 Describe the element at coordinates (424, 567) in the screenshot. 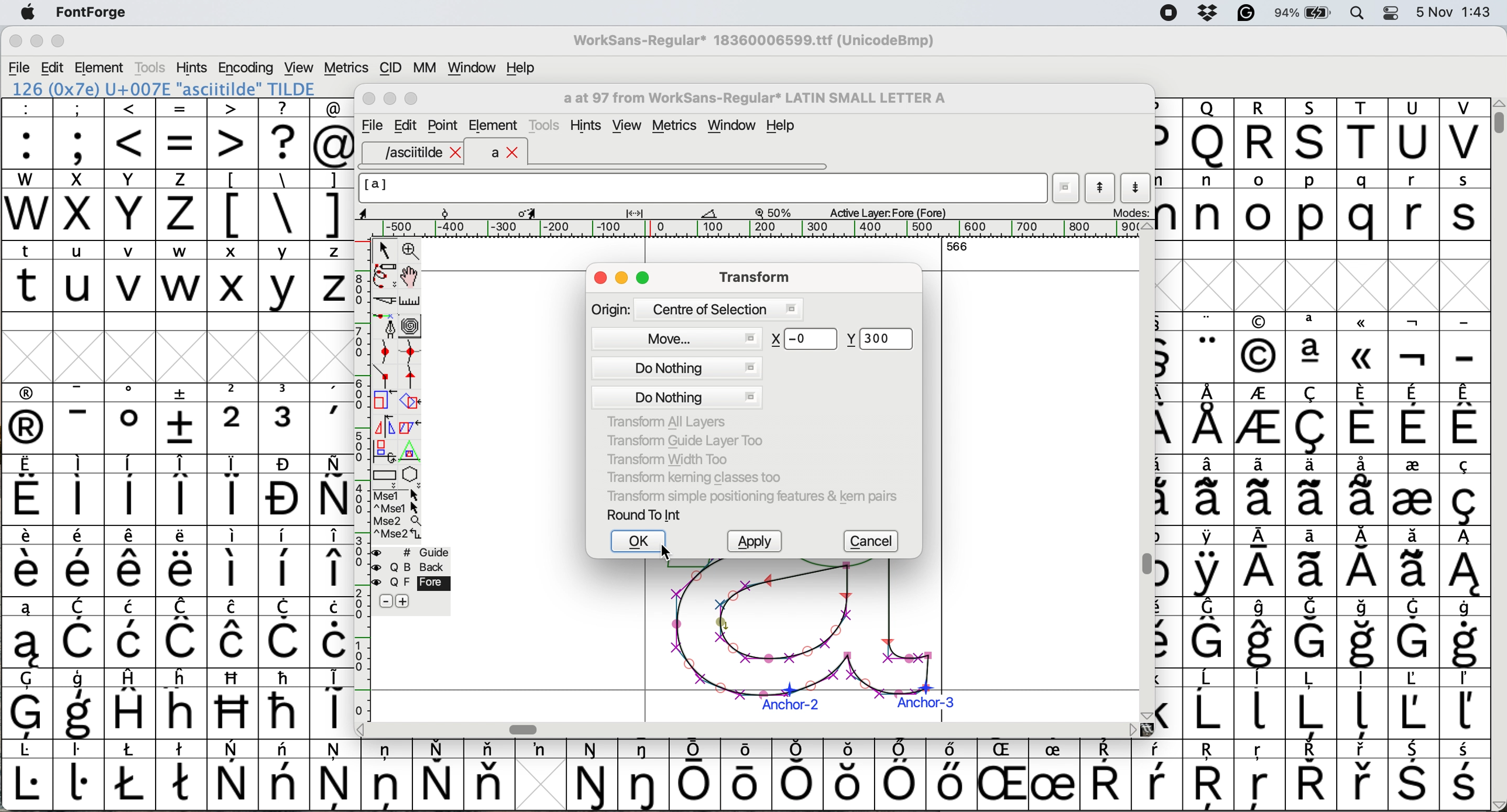

I see `Background` at that location.